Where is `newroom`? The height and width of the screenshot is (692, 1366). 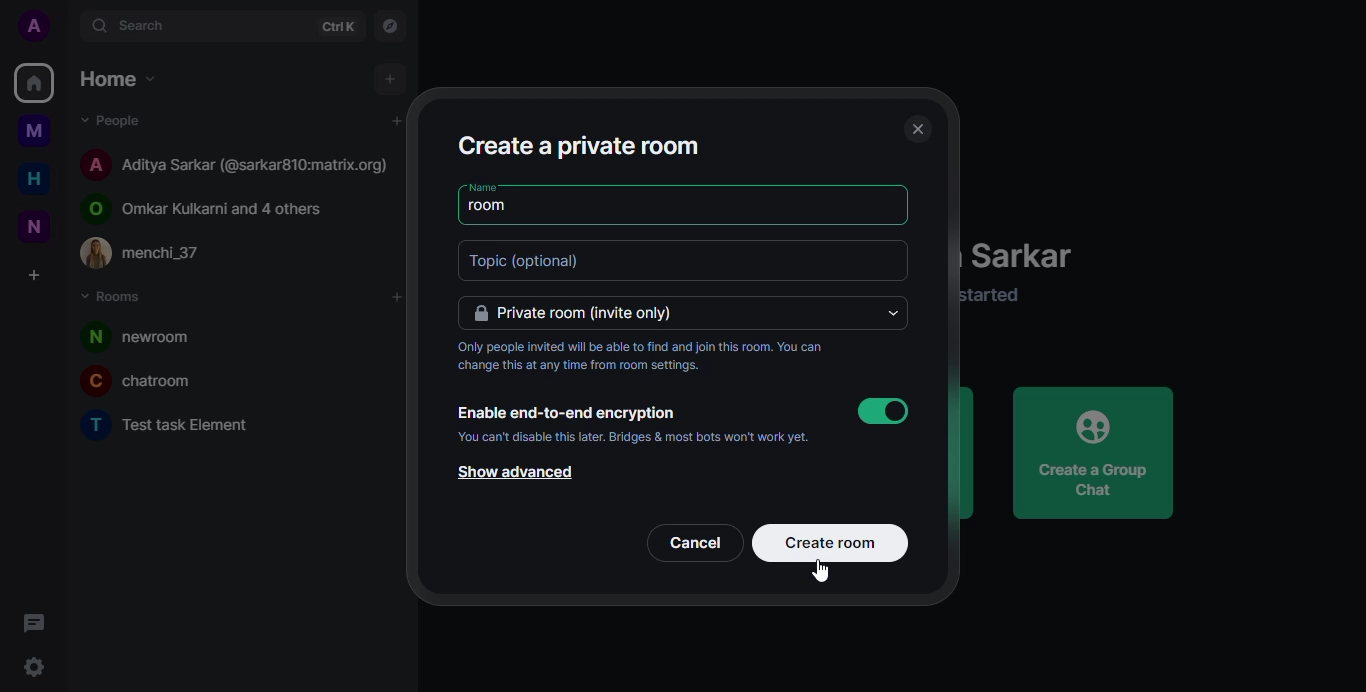
newroom is located at coordinates (151, 335).